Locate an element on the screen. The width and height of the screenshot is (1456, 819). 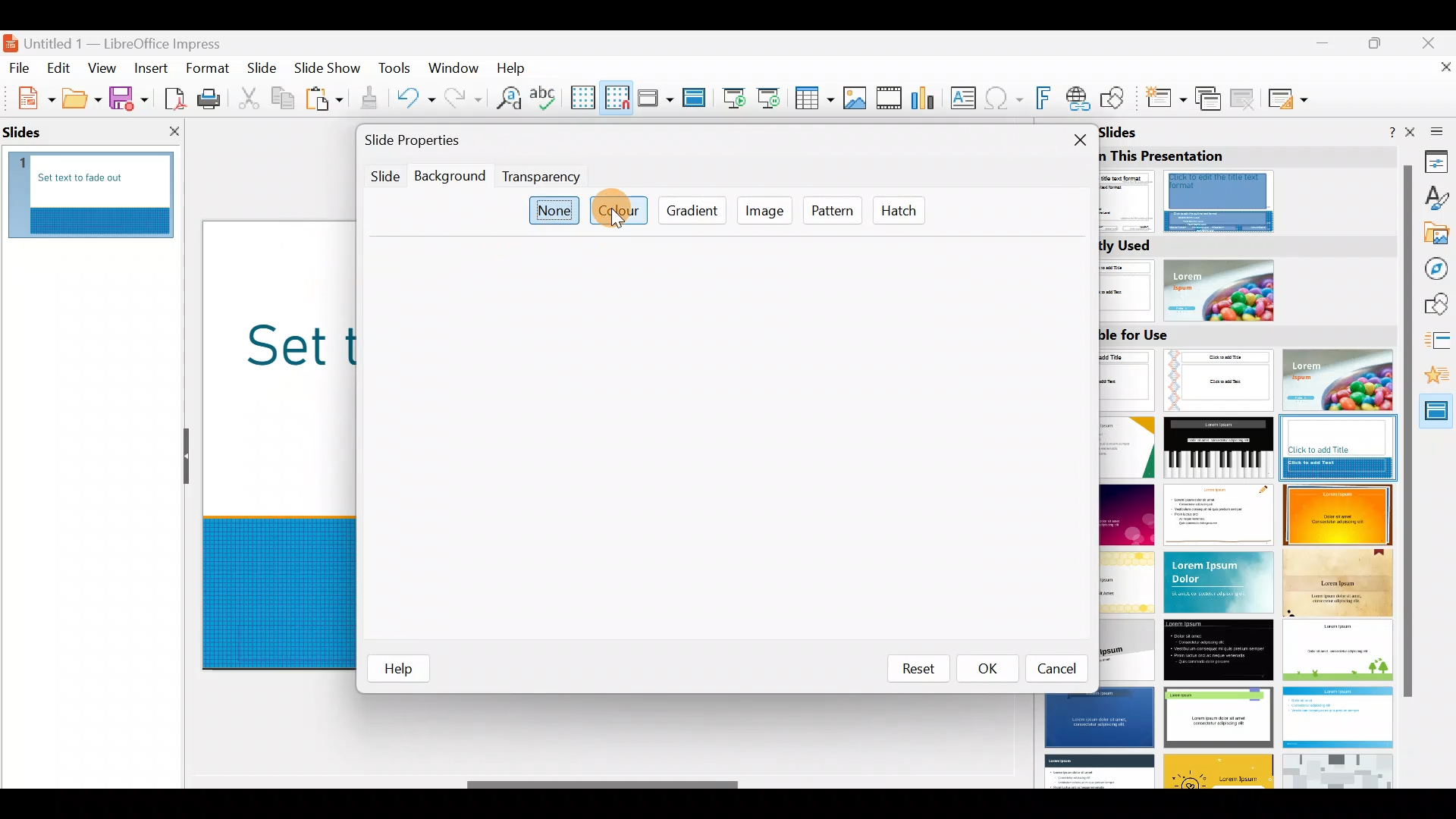
Gradient is located at coordinates (692, 212).